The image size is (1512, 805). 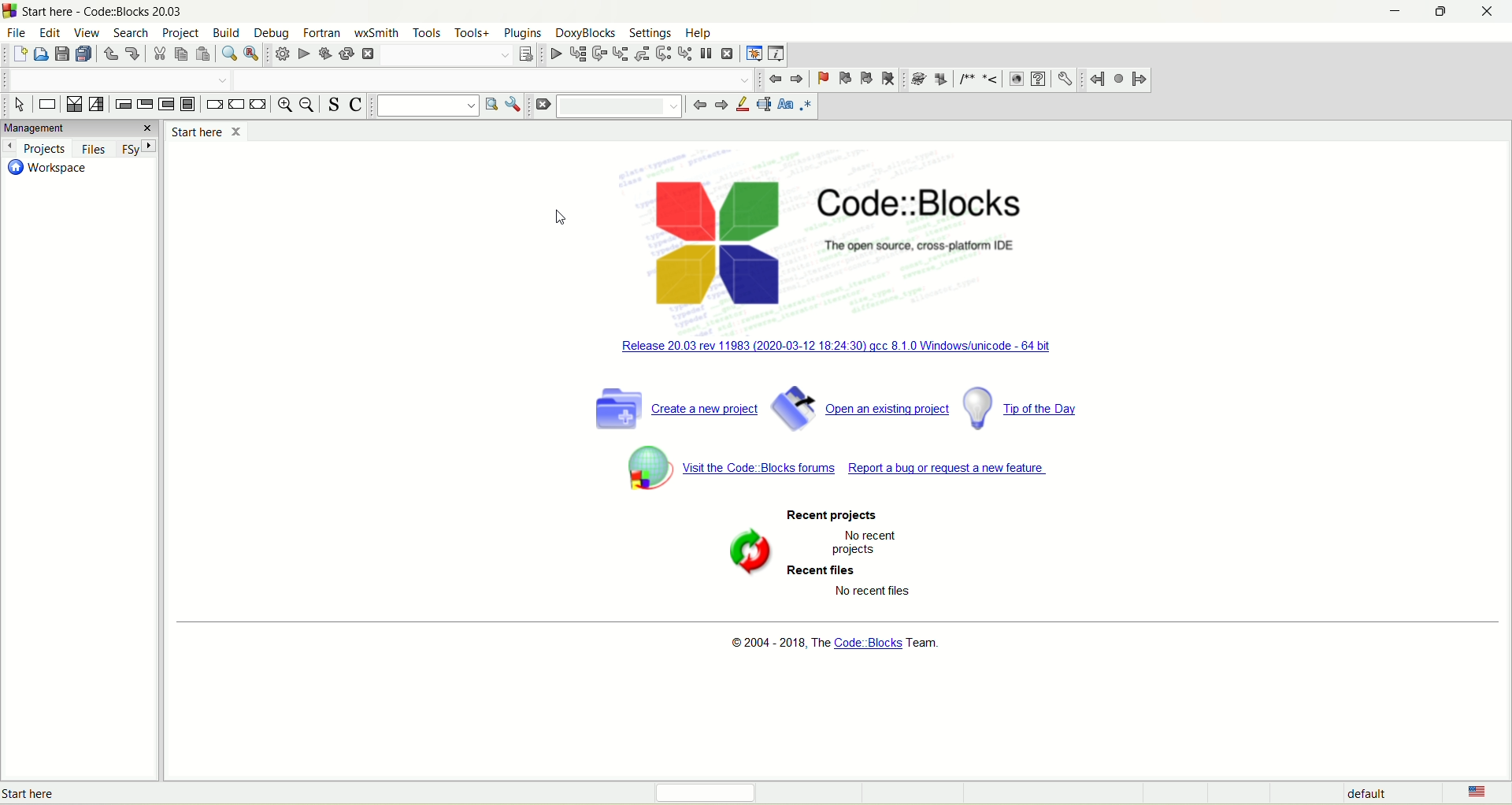 I want to click on open a project, so click(x=859, y=405).